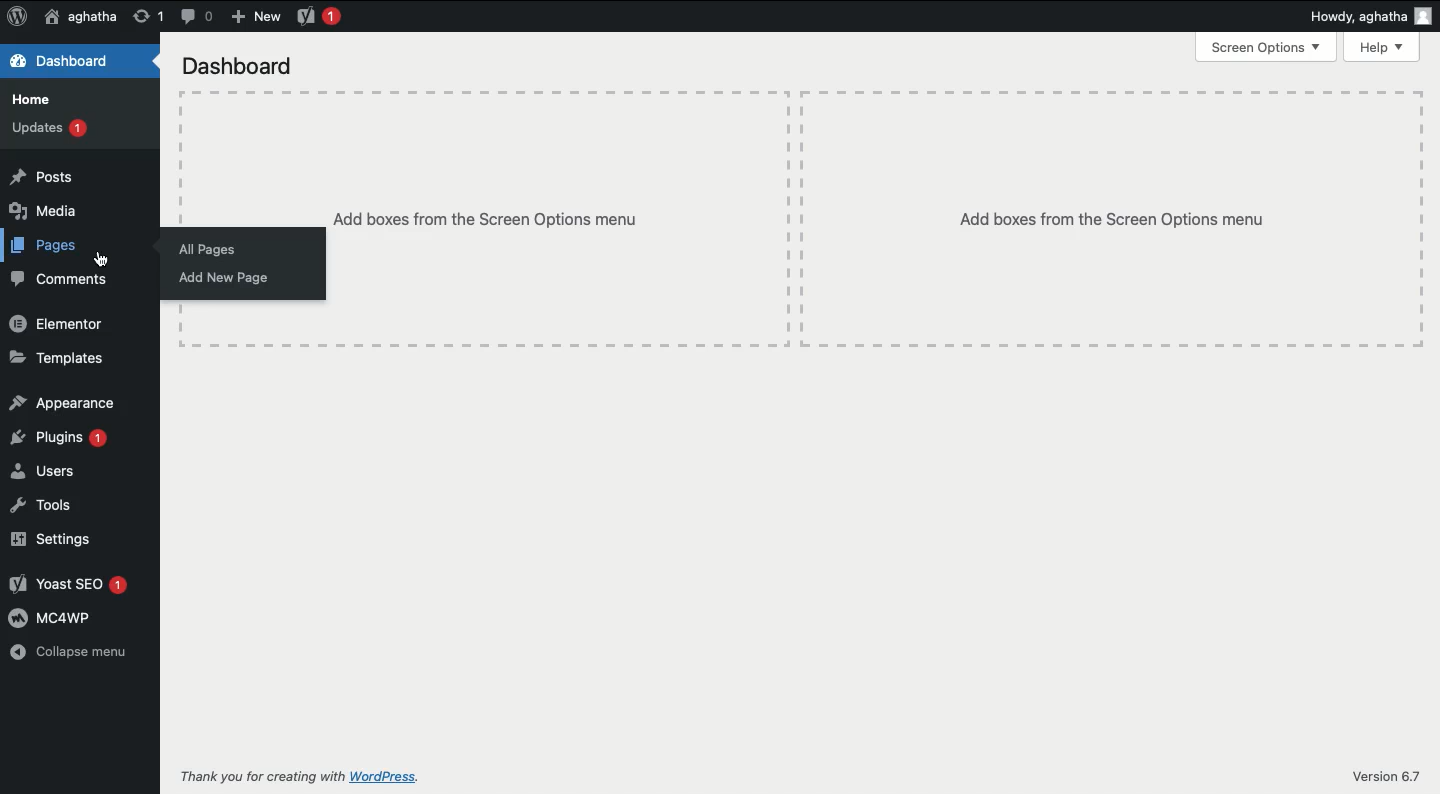 The image size is (1440, 794). What do you see at coordinates (31, 100) in the screenshot?
I see `Home` at bounding box center [31, 100].